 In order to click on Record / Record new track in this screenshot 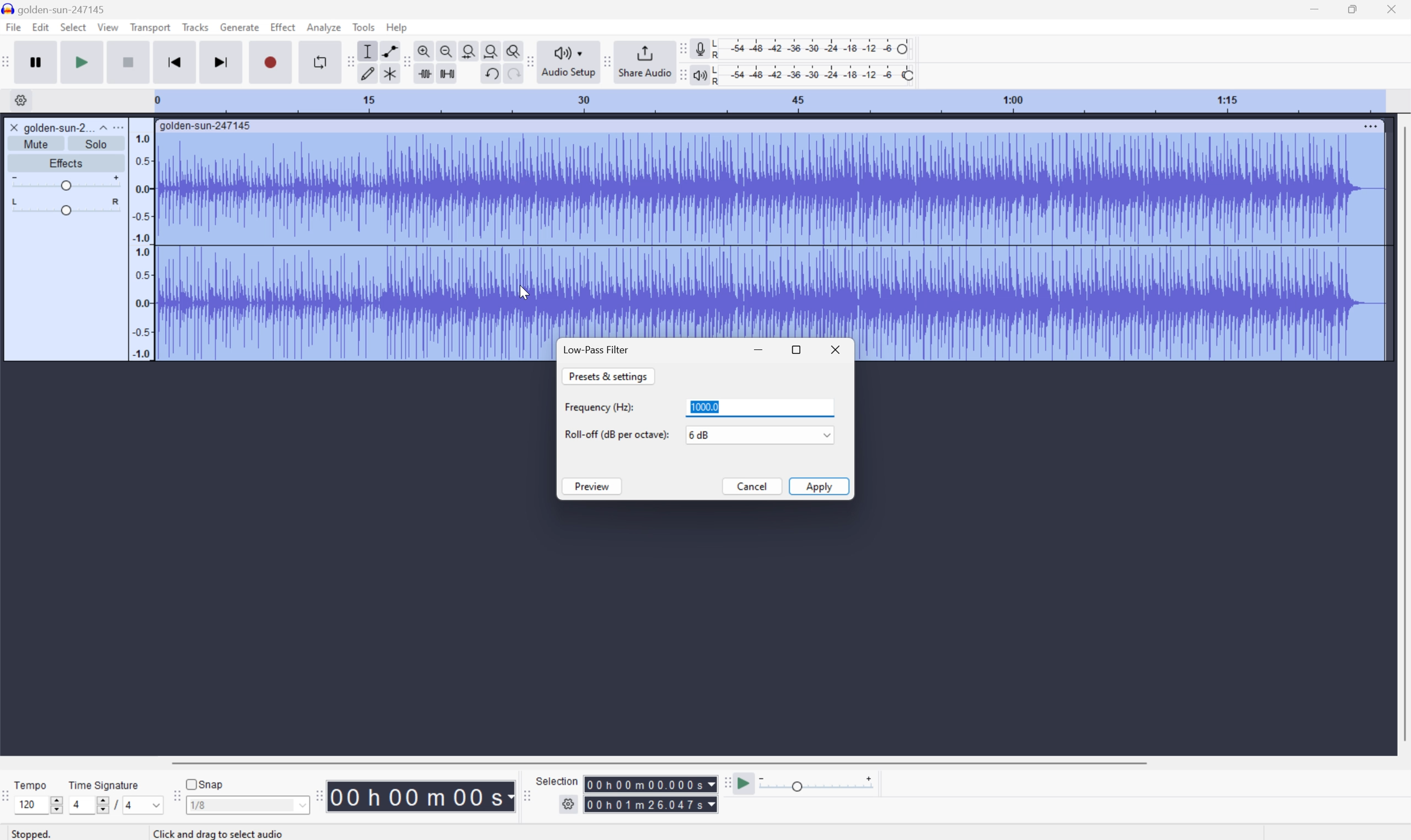, I will do `click(270, 61)`.